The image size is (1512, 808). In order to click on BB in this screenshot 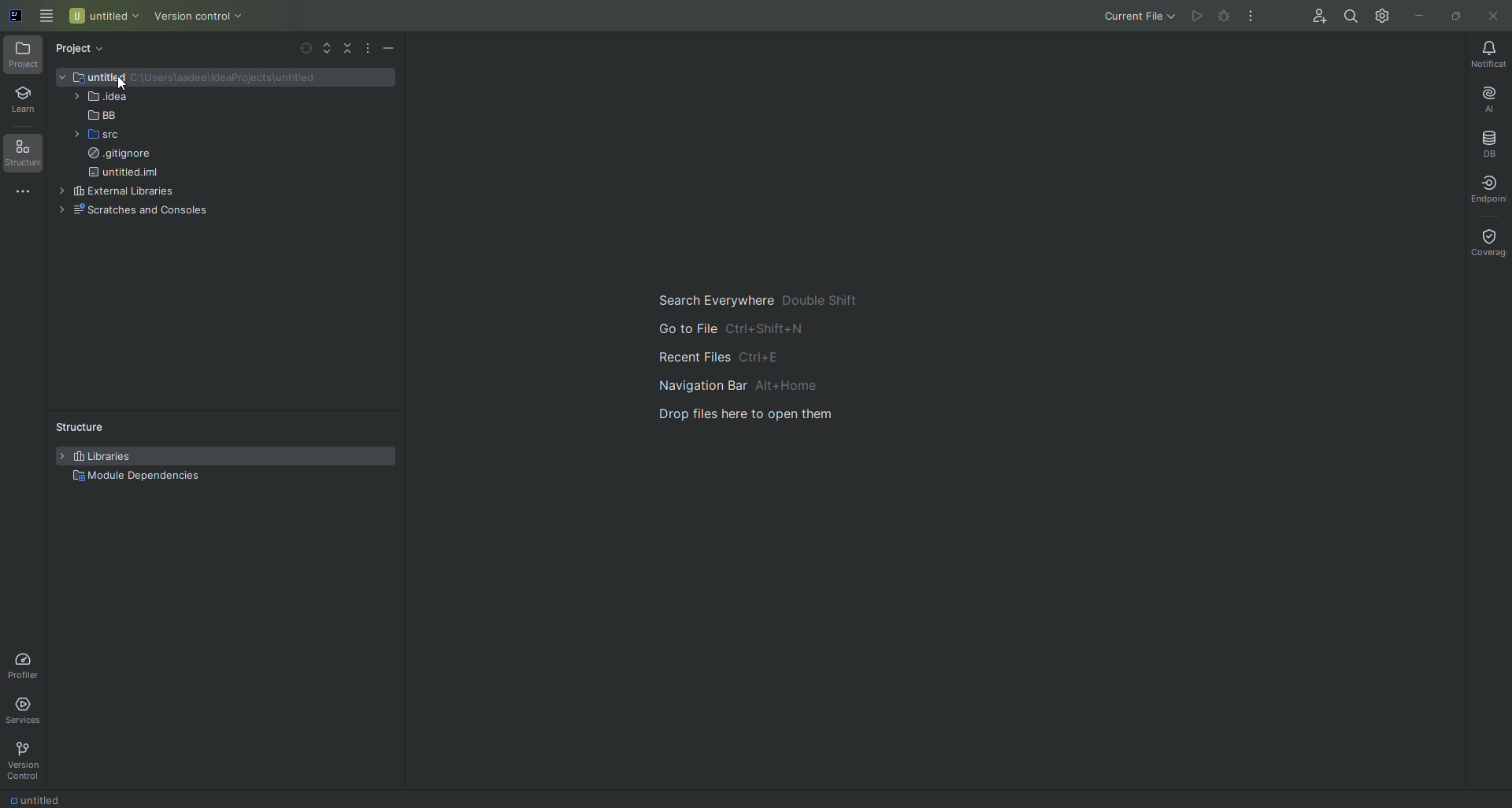, I will do `click(93, 116)`.